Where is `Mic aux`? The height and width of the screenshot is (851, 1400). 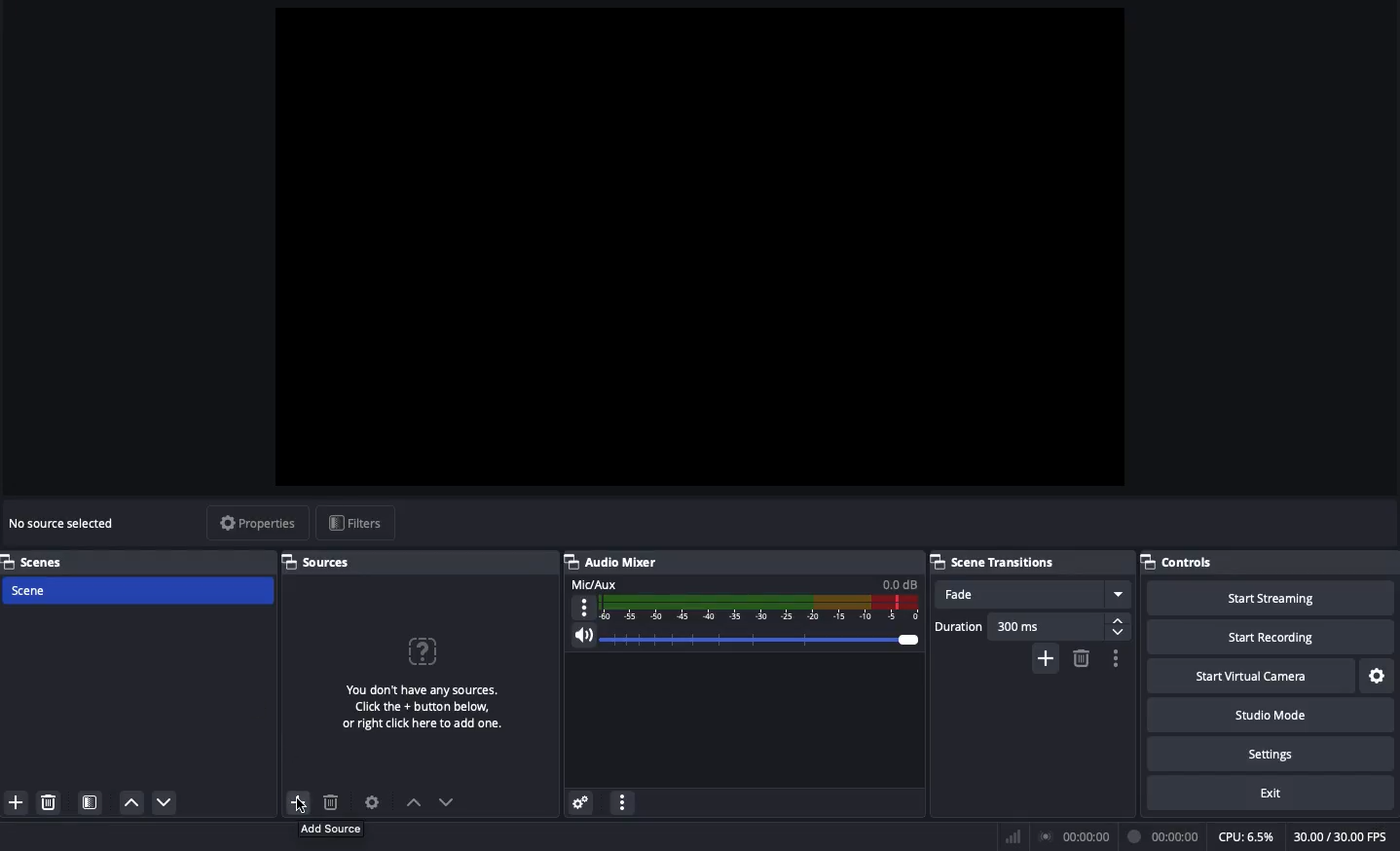
Mic aux is located at coordinates (741, 600).